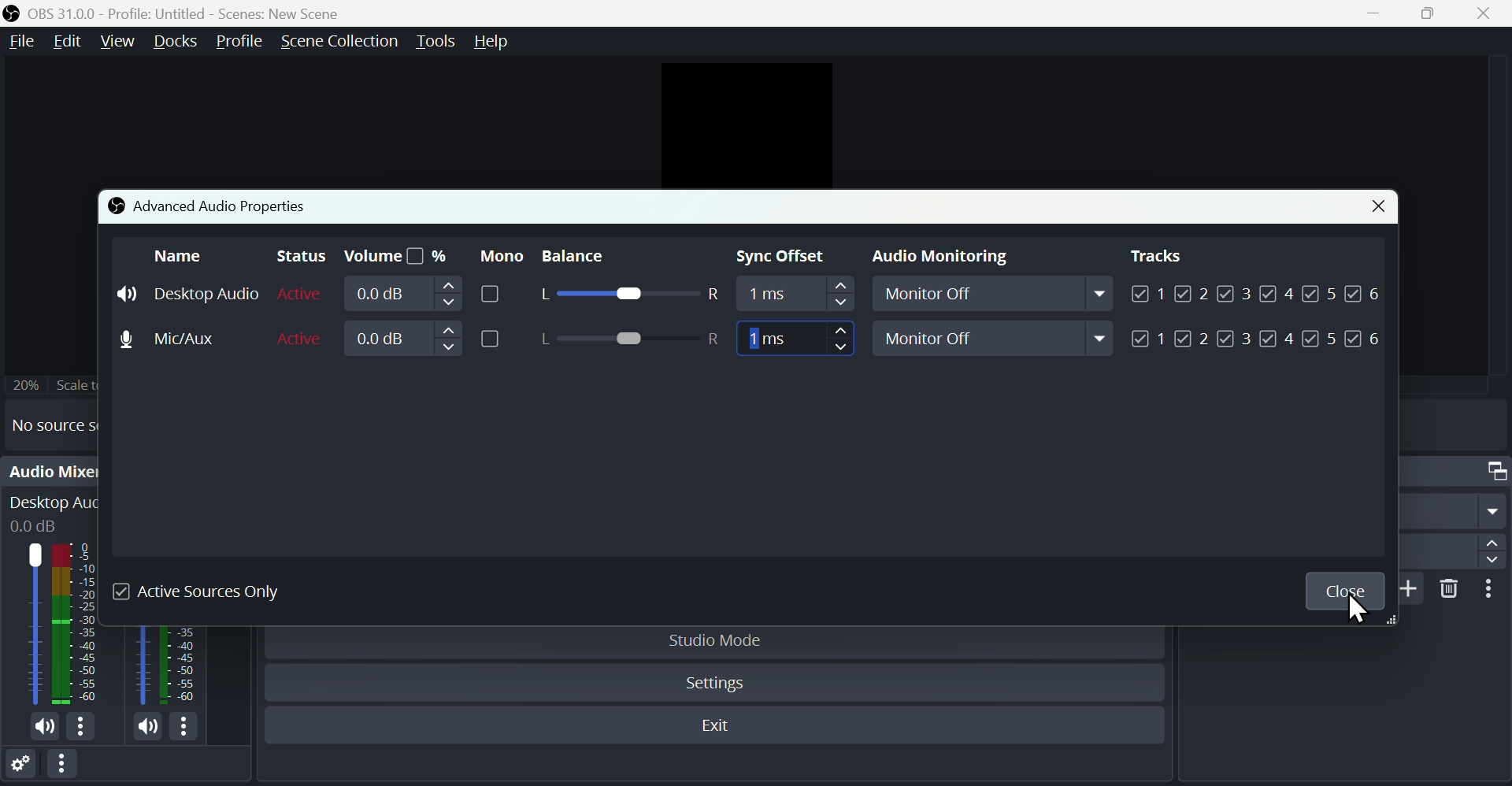  What do you see at coordinates (338, 41) in the screenshot?
I see `Scene collection` at bounding box center [338, 41].